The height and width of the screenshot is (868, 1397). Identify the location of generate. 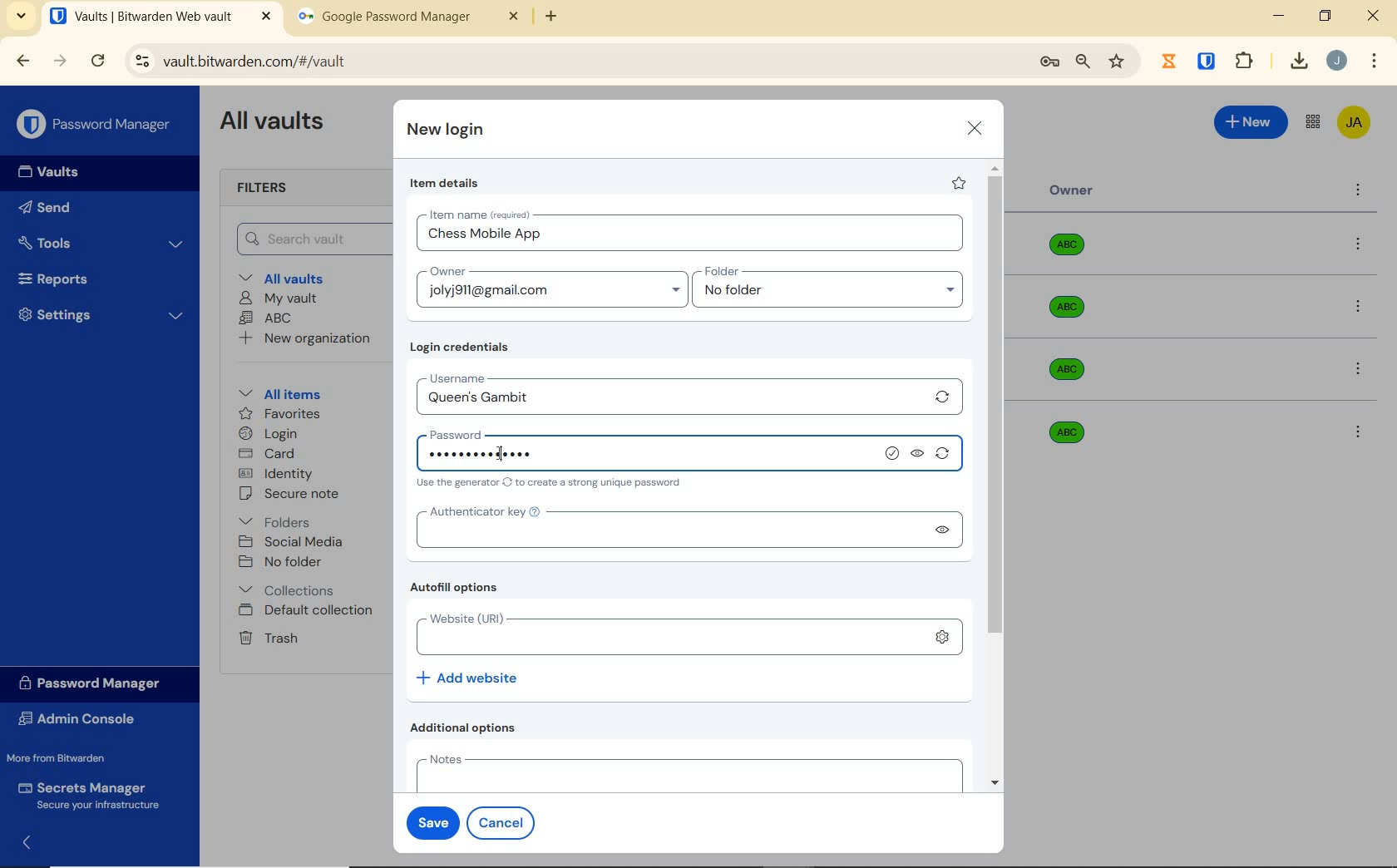
(943, 397).